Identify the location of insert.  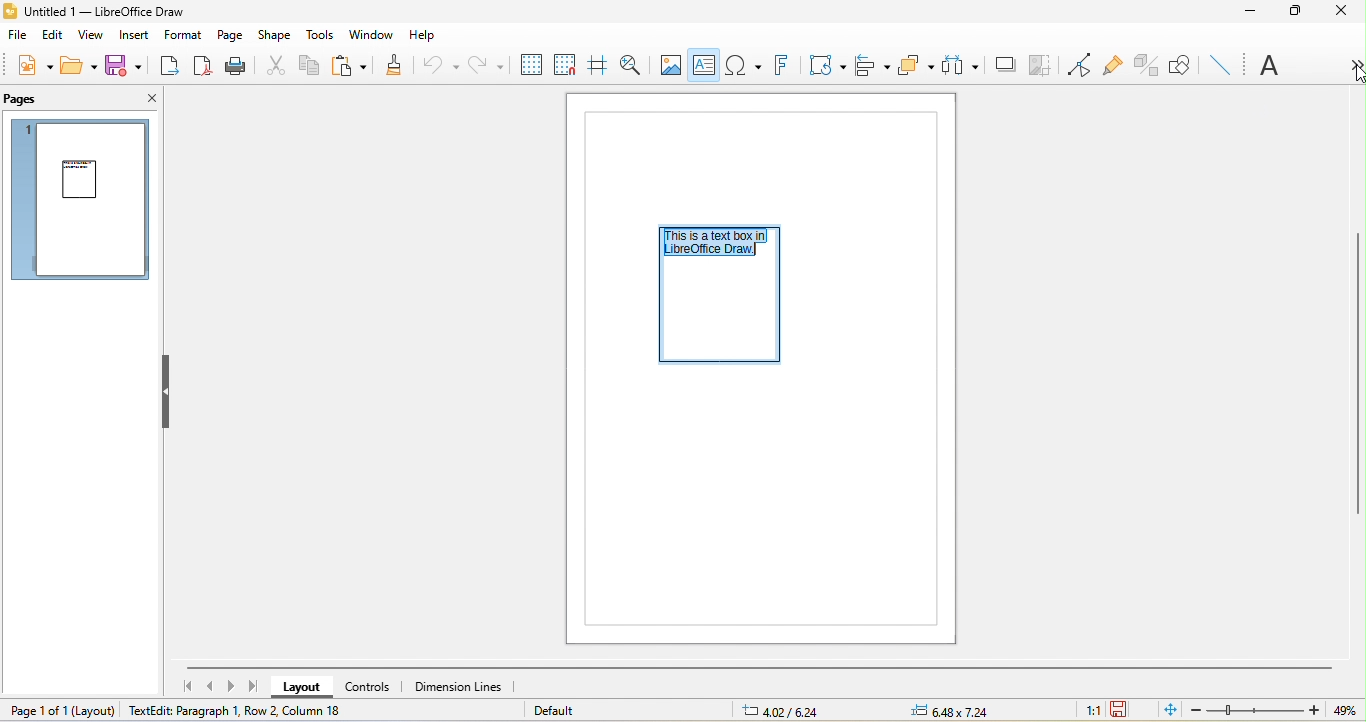
(137, 37).